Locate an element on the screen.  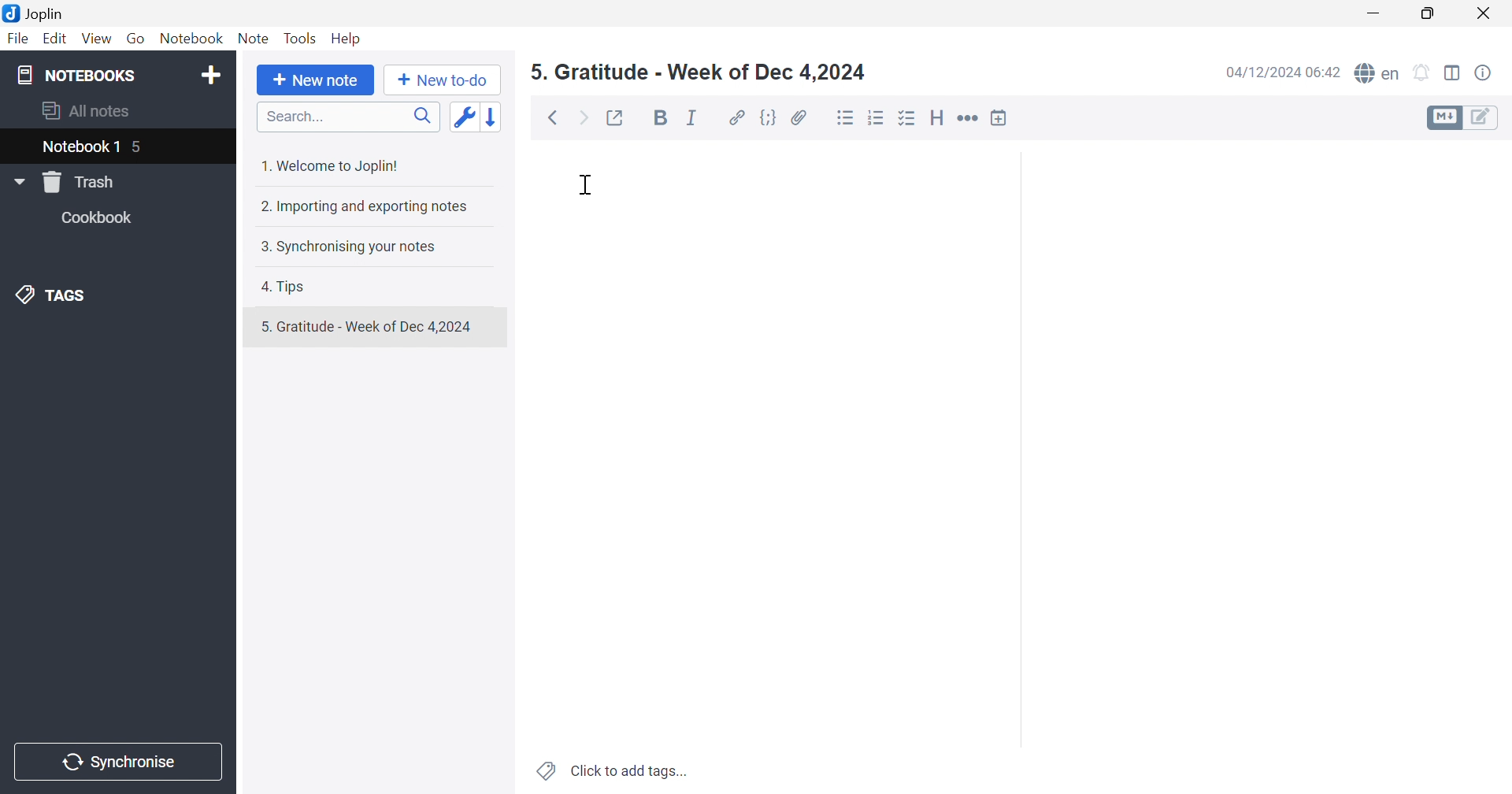
Click to add tags is located at coordinates (609, 773).